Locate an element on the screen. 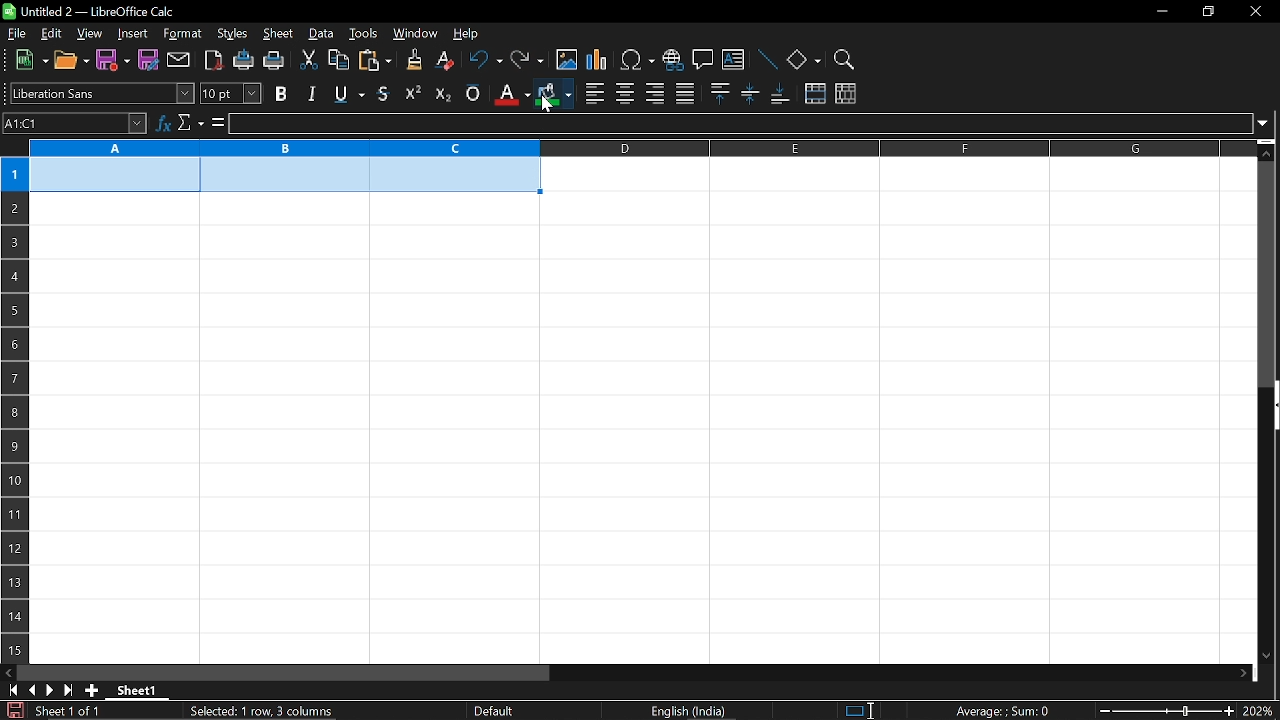  cell color is located at coordinates (553, 95).